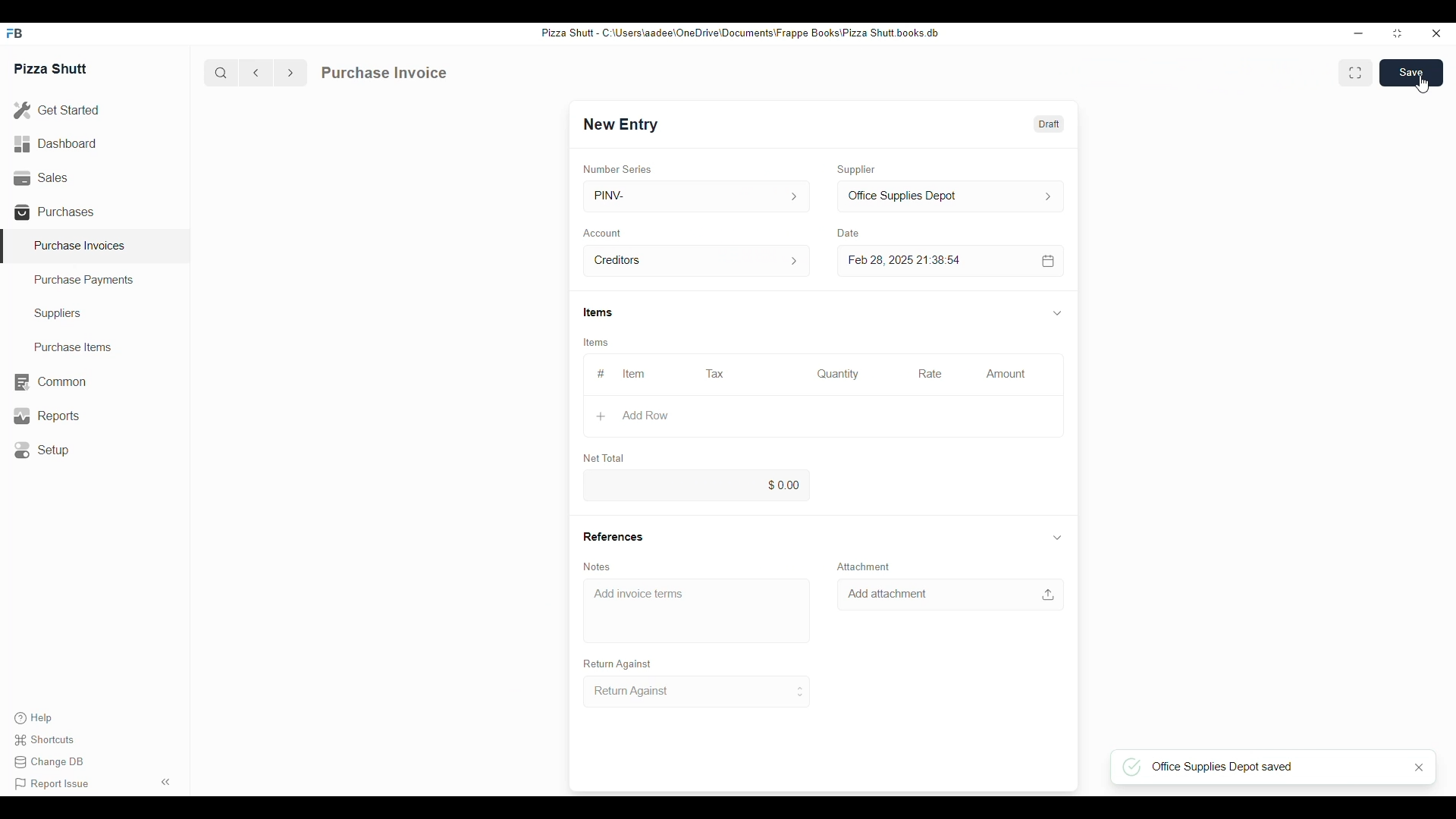 The width and height of the screenshot is (1456, 819). I want to click on Common, so click(49, 382).